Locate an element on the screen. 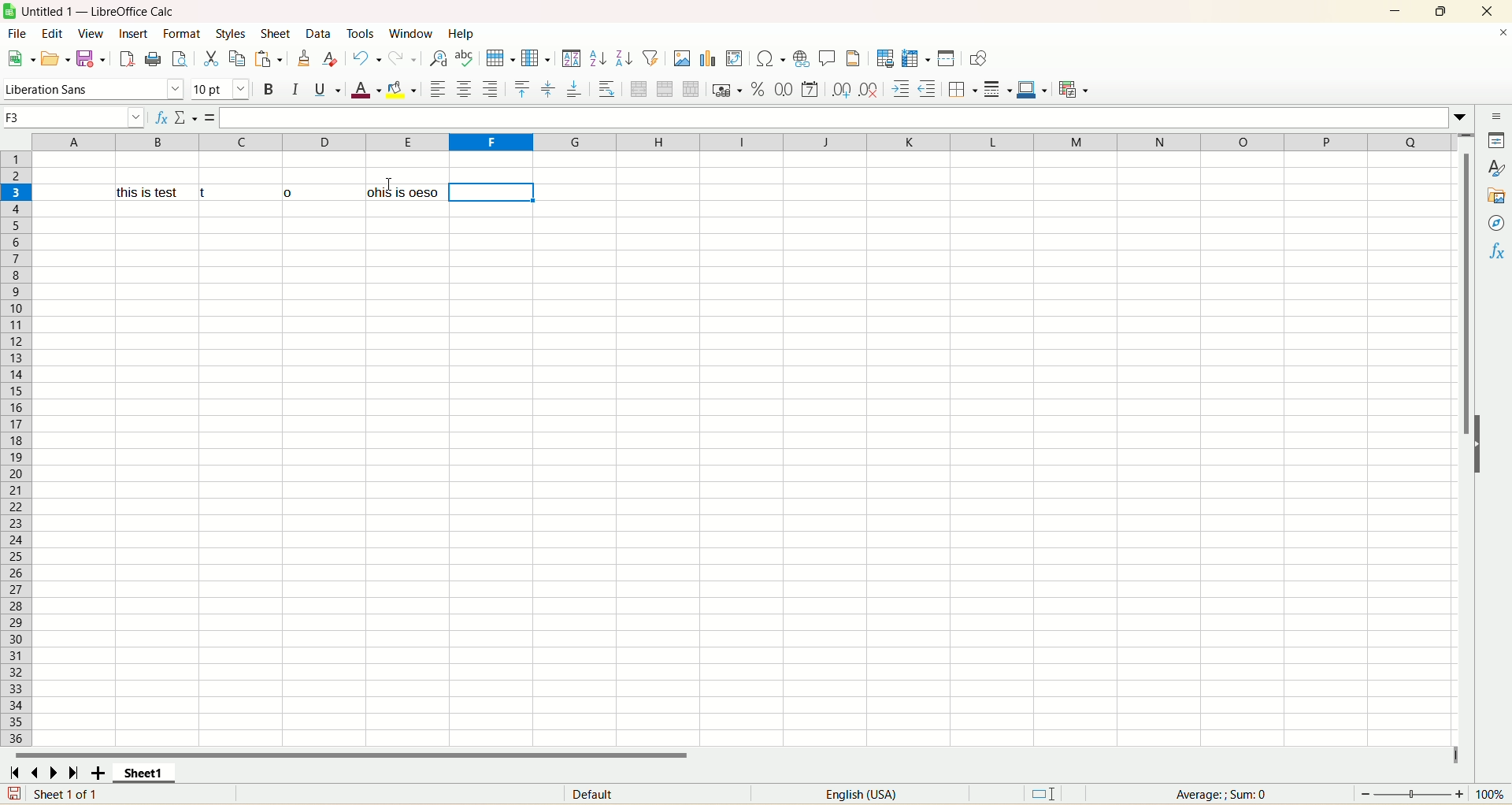 The height and width of the screenshot is (805, 1512). function is located at coordinates (1495, 256).